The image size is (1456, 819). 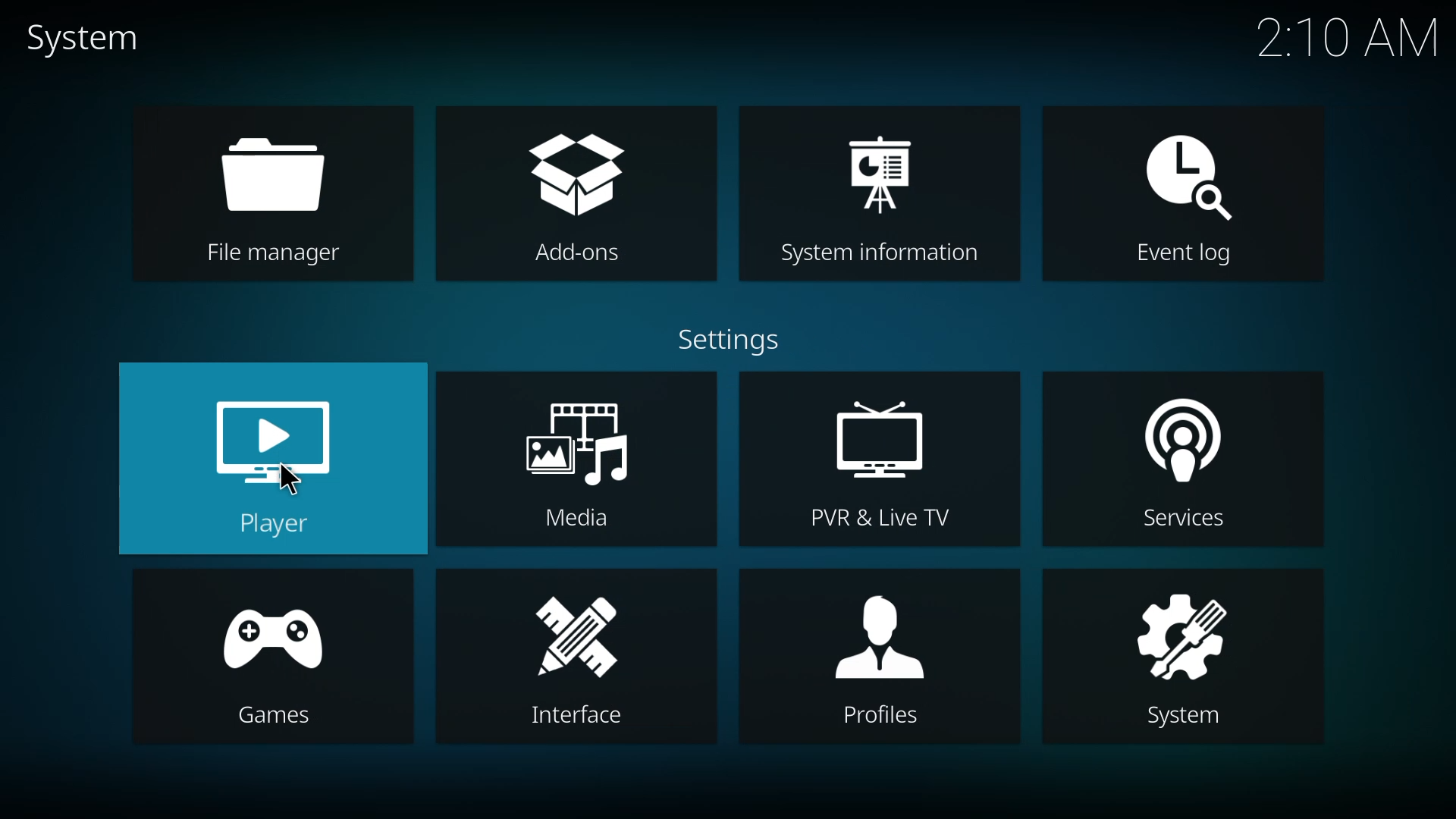 I want to click on add-ons, so click(x=580, y=194).